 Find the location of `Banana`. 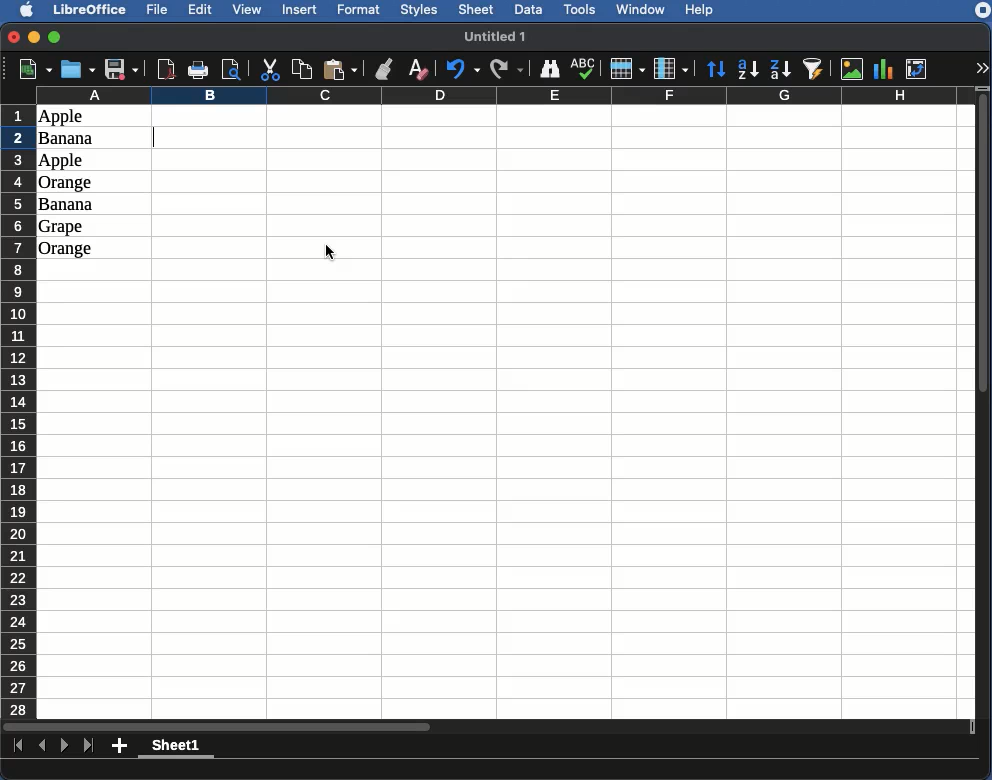

Banana is located at coordinates (71, 139).